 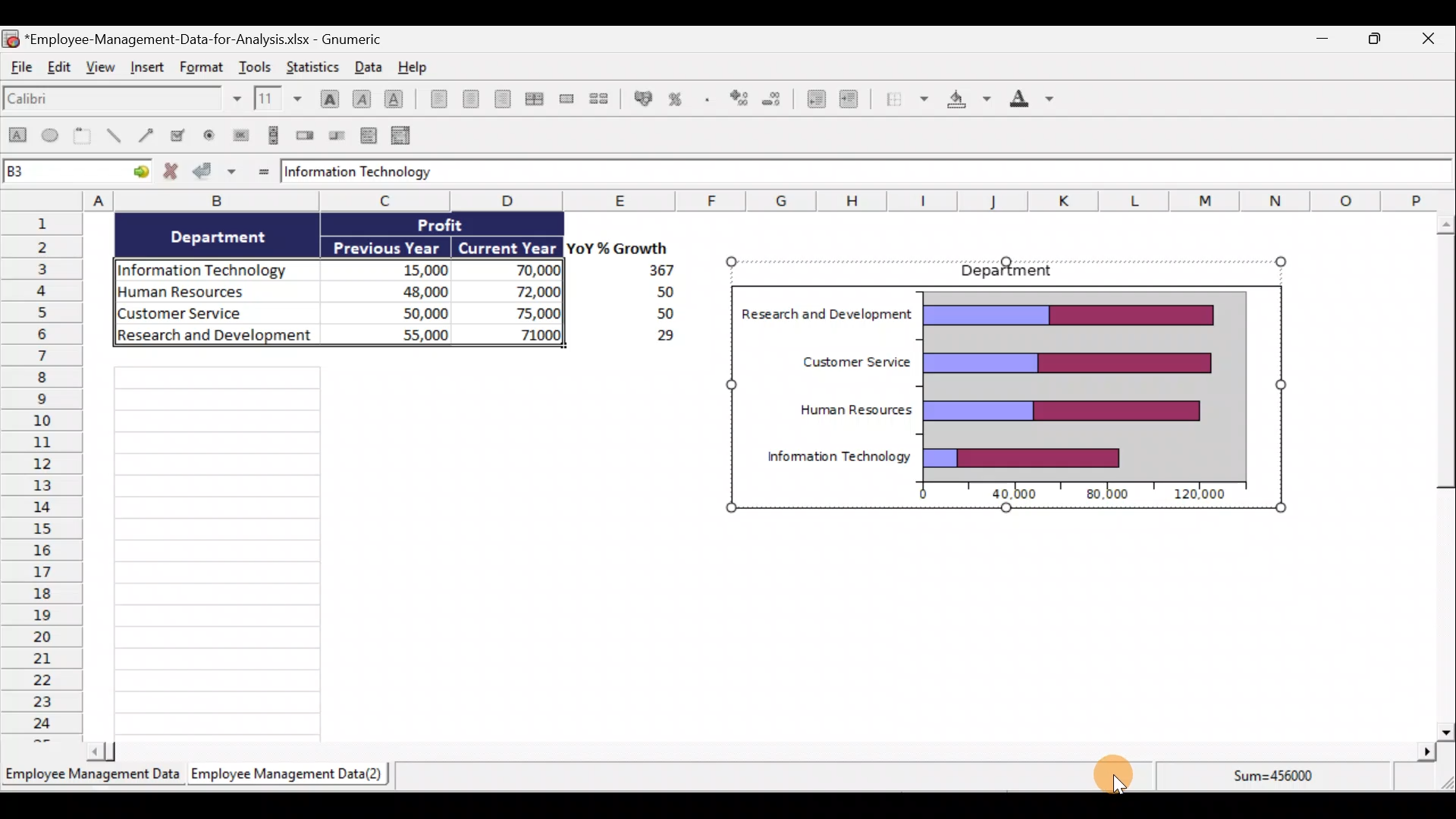 What do you see at coordinates (93, 777) in the screenshot?
I see `Sheet 1` at bounding box center [93, 777].